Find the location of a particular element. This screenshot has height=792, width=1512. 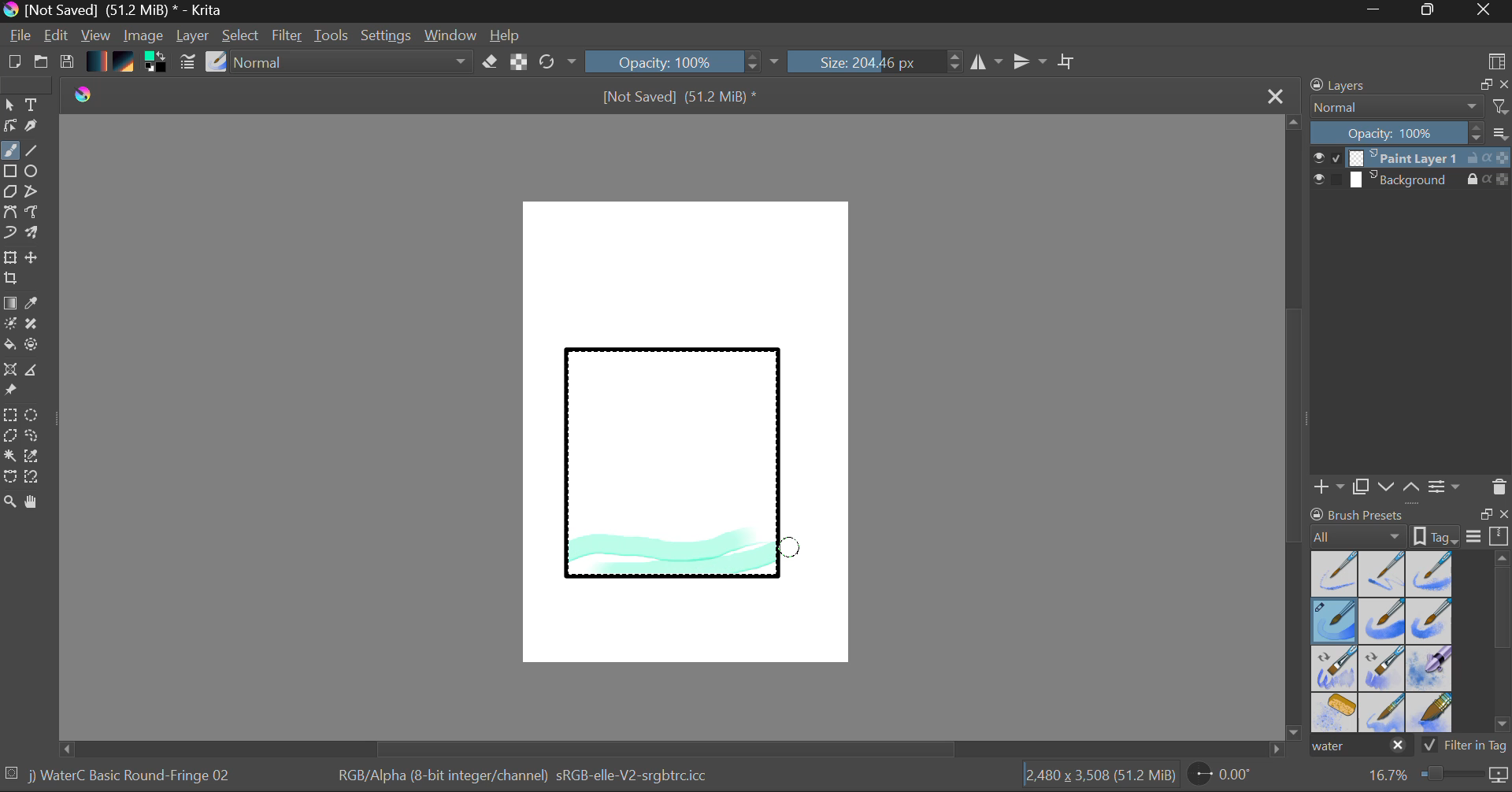

Layer 1 is located at coordinates (1412, 160).